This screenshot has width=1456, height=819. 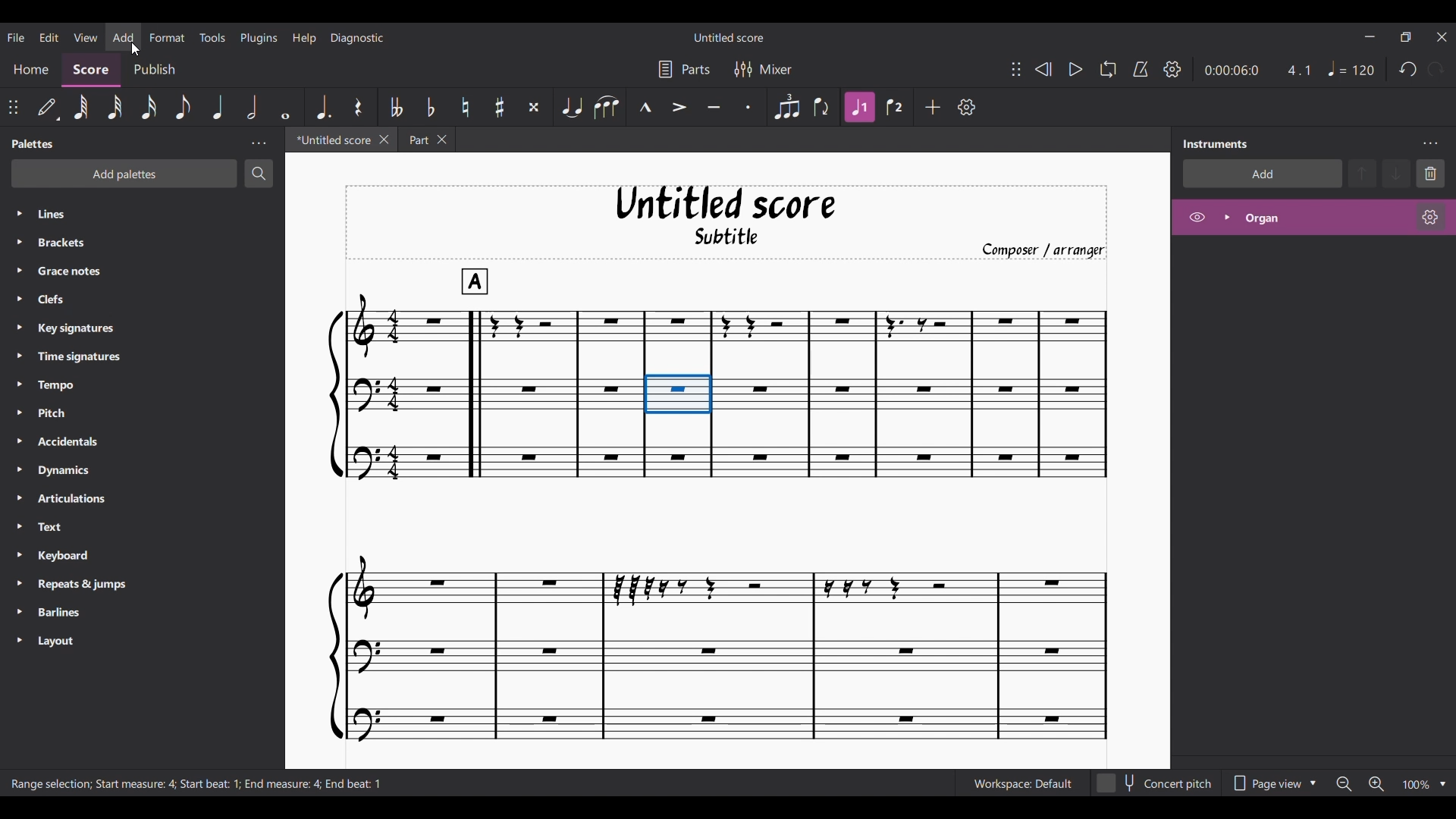 I want to click on Parts, so click(x=684, y=70).